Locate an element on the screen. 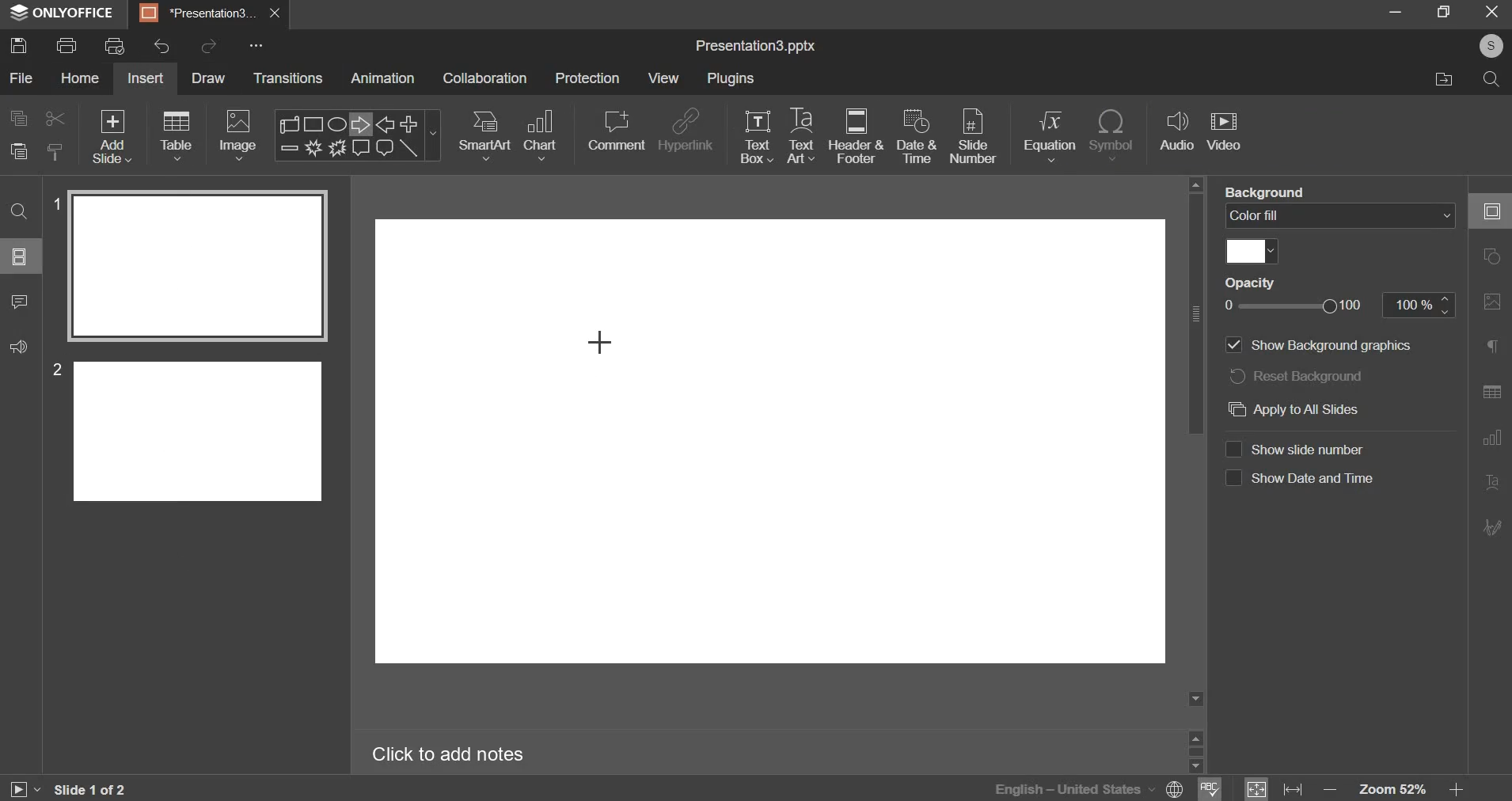 This screenshot has height=801, width=1512. fit to slide is located at coordinates (1256, 789).